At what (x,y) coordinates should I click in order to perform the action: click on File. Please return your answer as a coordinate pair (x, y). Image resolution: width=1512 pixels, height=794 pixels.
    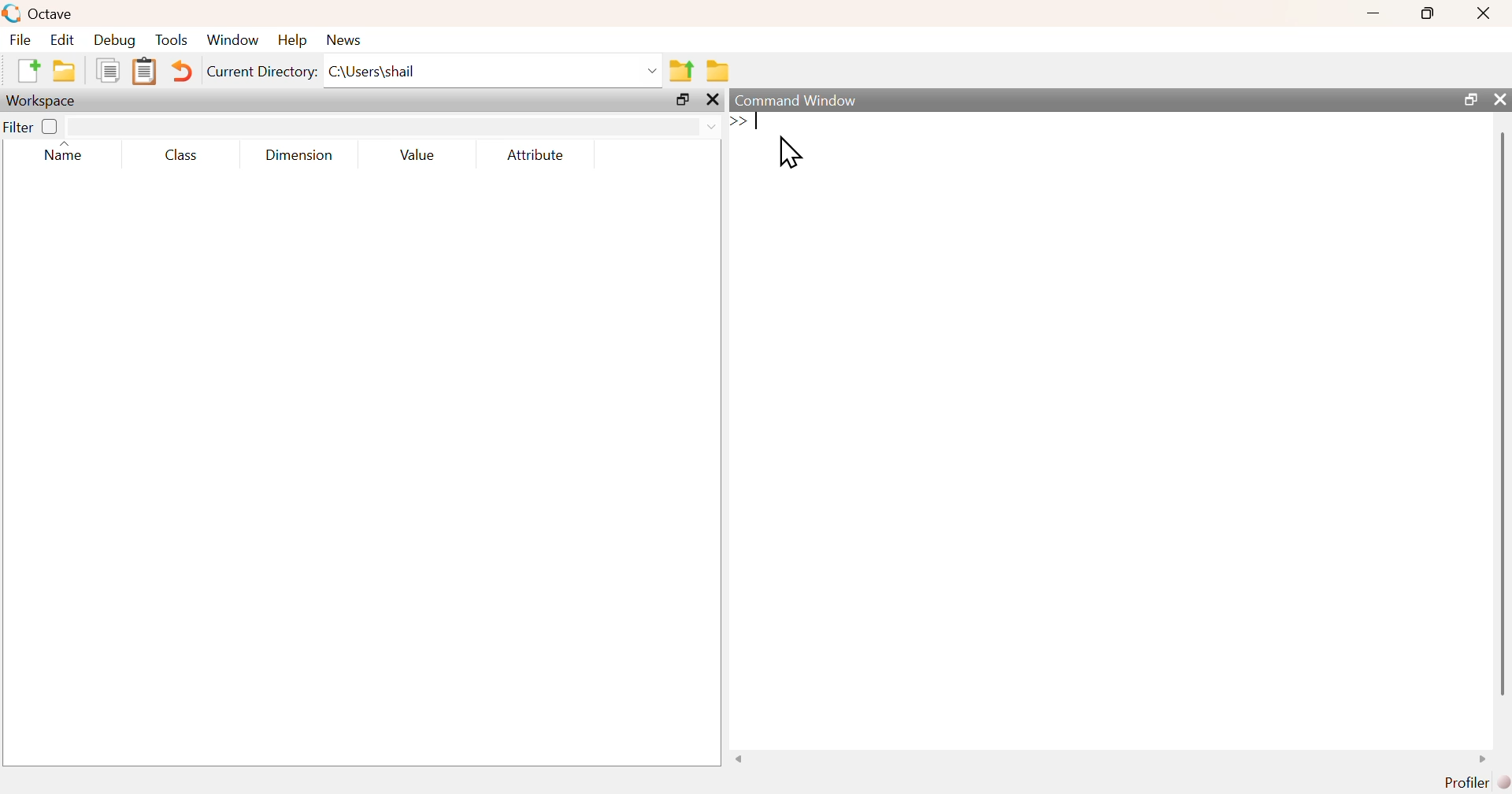
    Looking at the image, I should click on (20, 39).